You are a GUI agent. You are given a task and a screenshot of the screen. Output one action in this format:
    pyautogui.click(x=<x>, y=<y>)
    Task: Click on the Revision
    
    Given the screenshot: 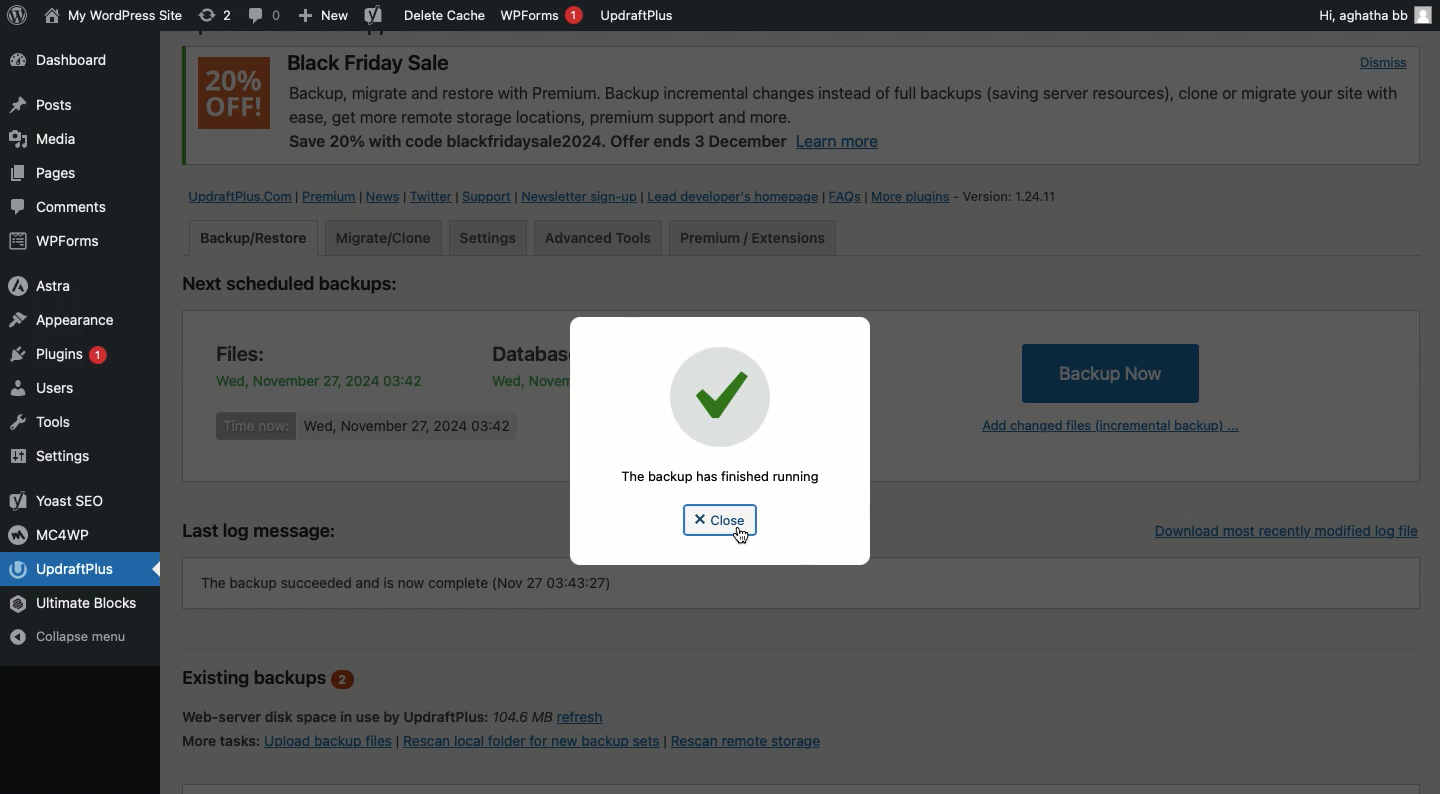 What is the action you would take?
    pyautogui.click(x=215, y=15)
    